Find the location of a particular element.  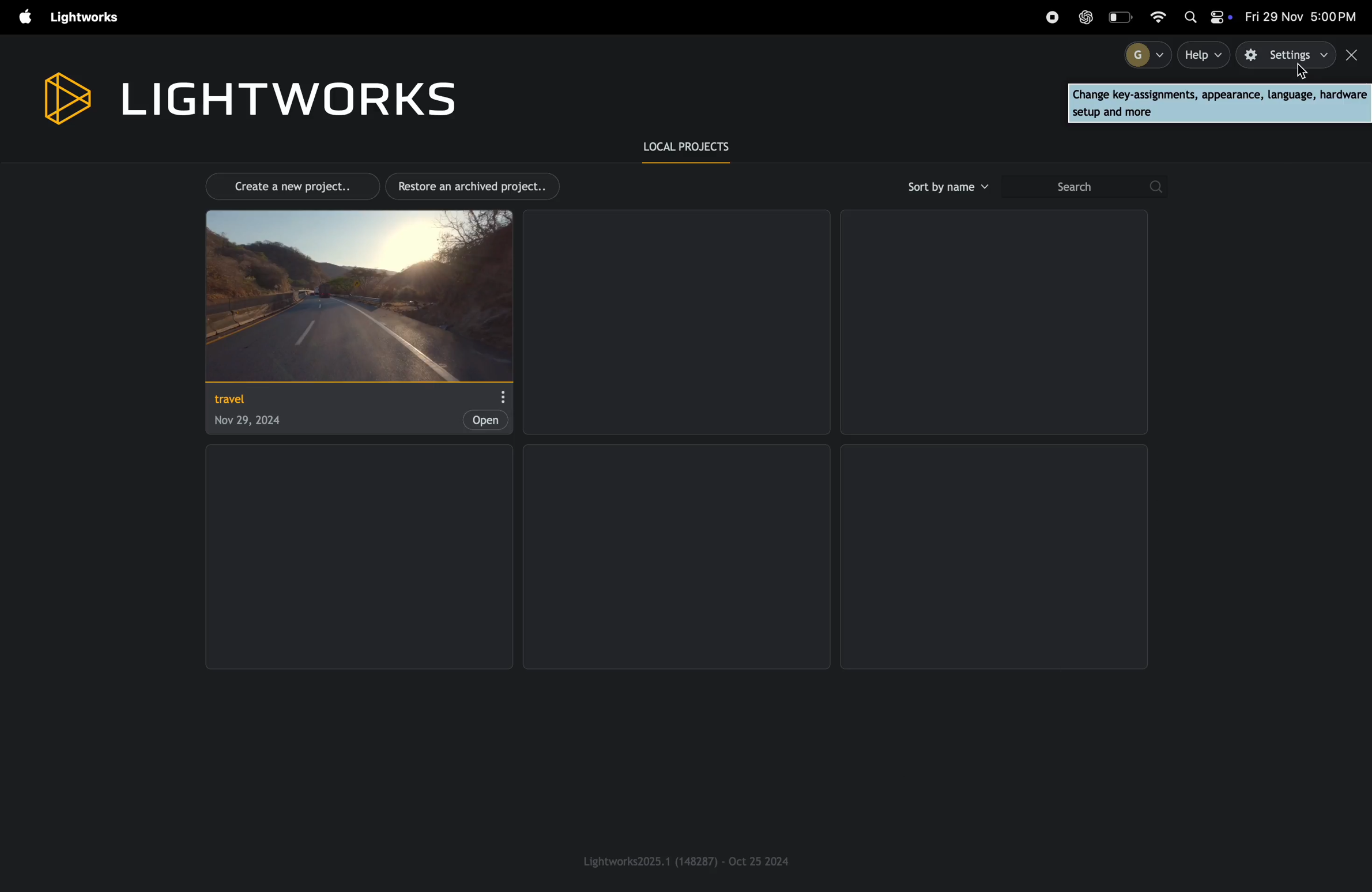

apple widgets is located at coordinates (1207, 18).